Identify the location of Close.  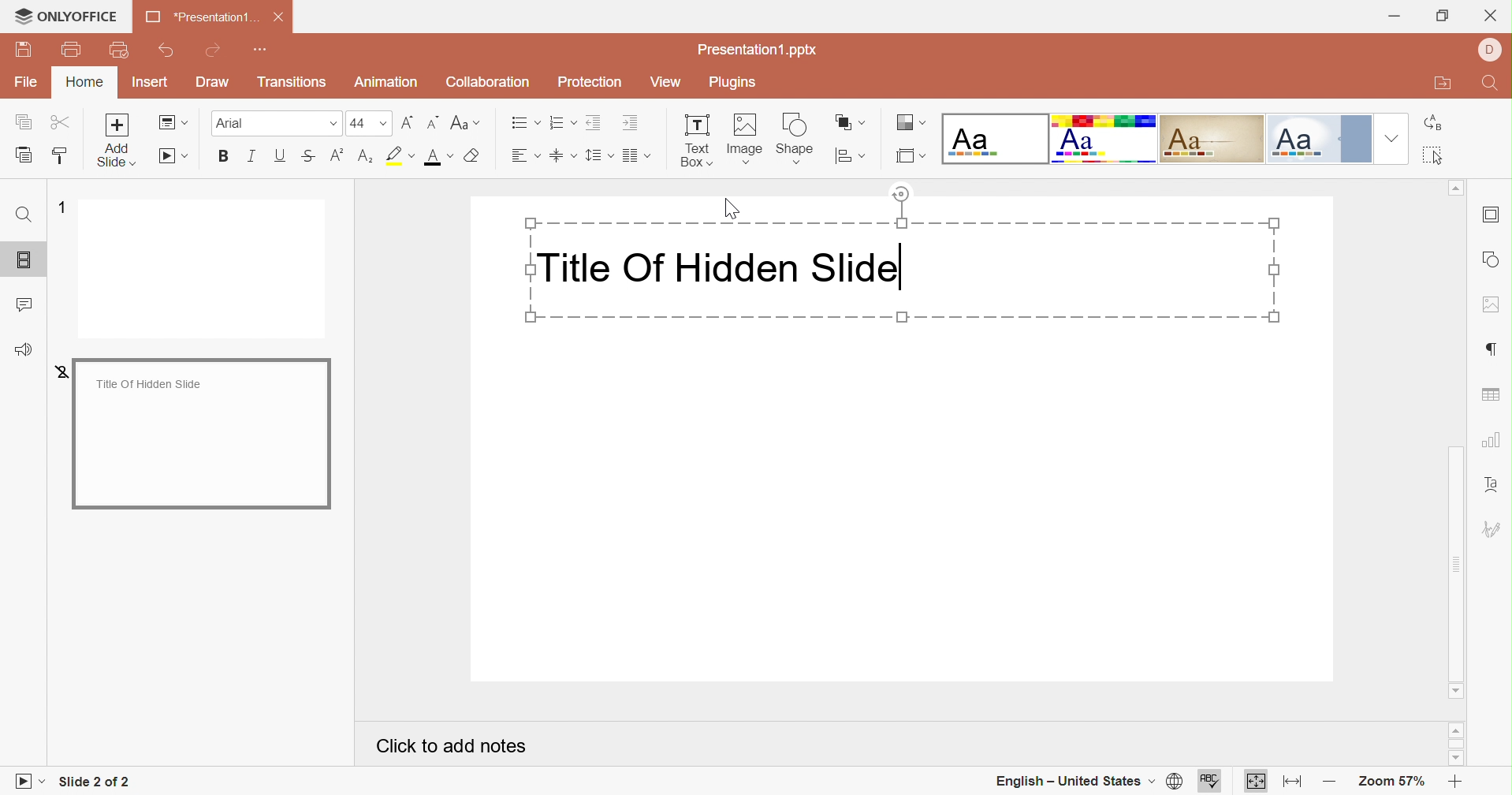
(1492, 13).